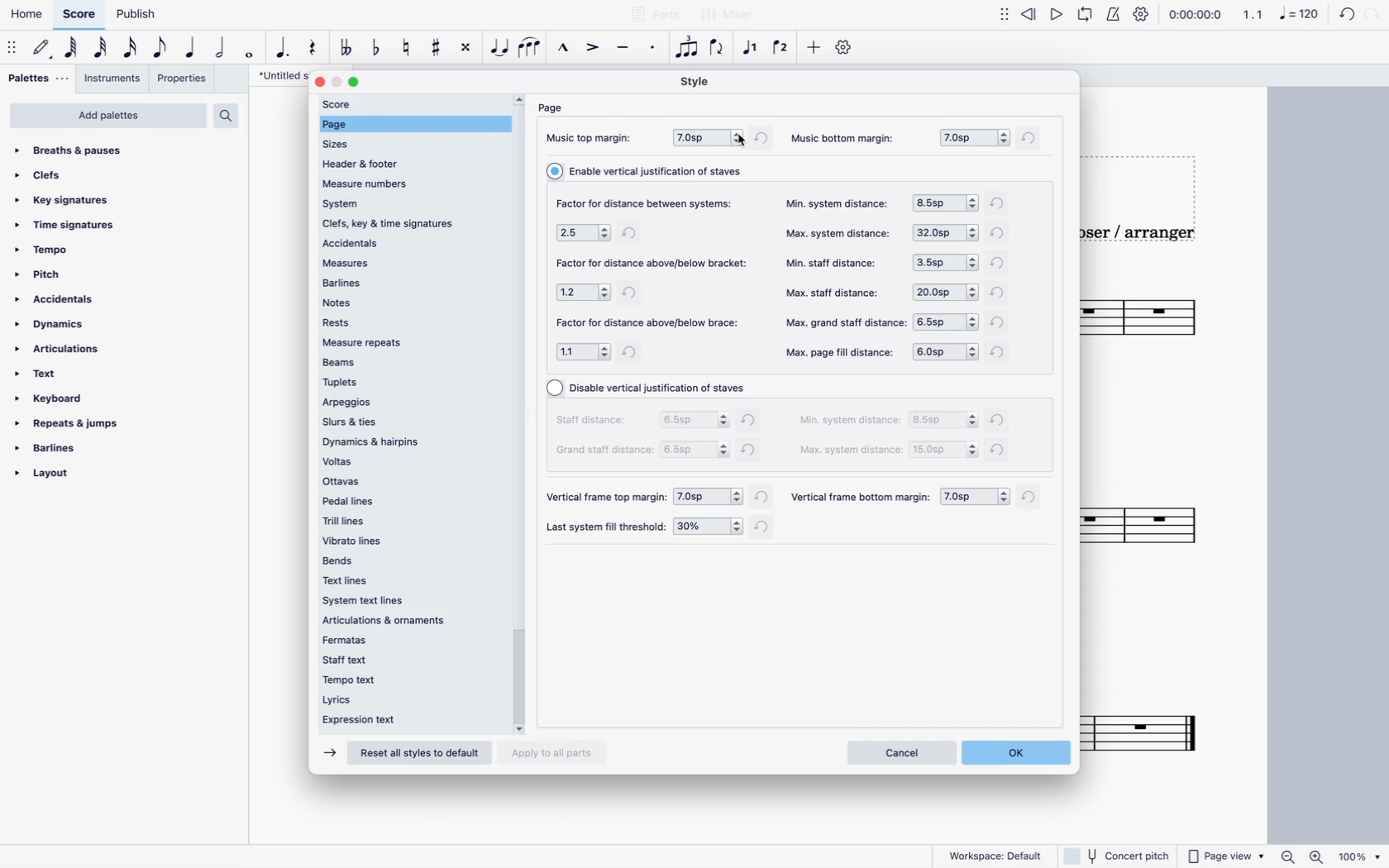  What do you see at coordinates (1000, 296) in the screenshot?
I see `refresh` at bounding box center [1000, 296].